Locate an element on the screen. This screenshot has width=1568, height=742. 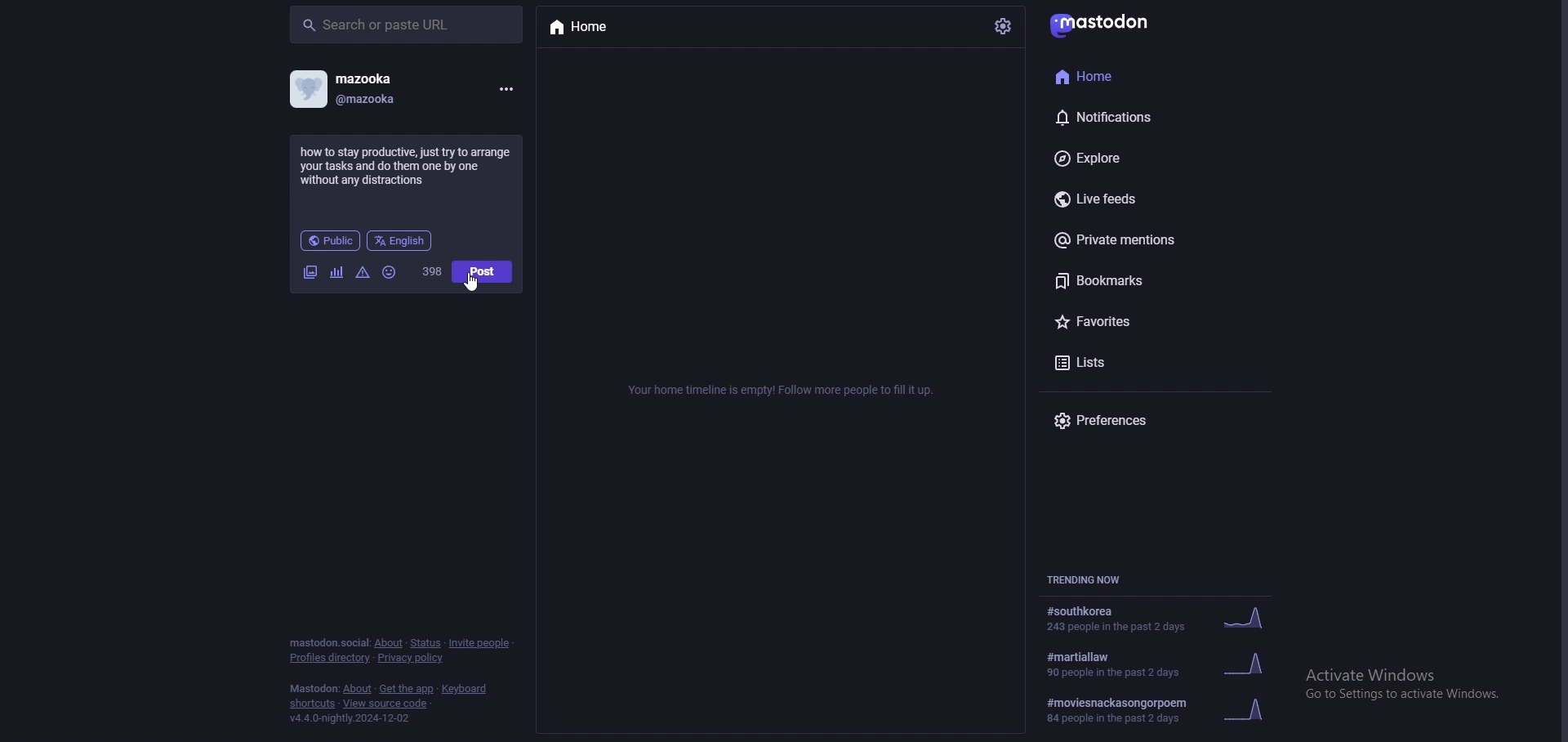
search bar is located at coordinates (407, 26).